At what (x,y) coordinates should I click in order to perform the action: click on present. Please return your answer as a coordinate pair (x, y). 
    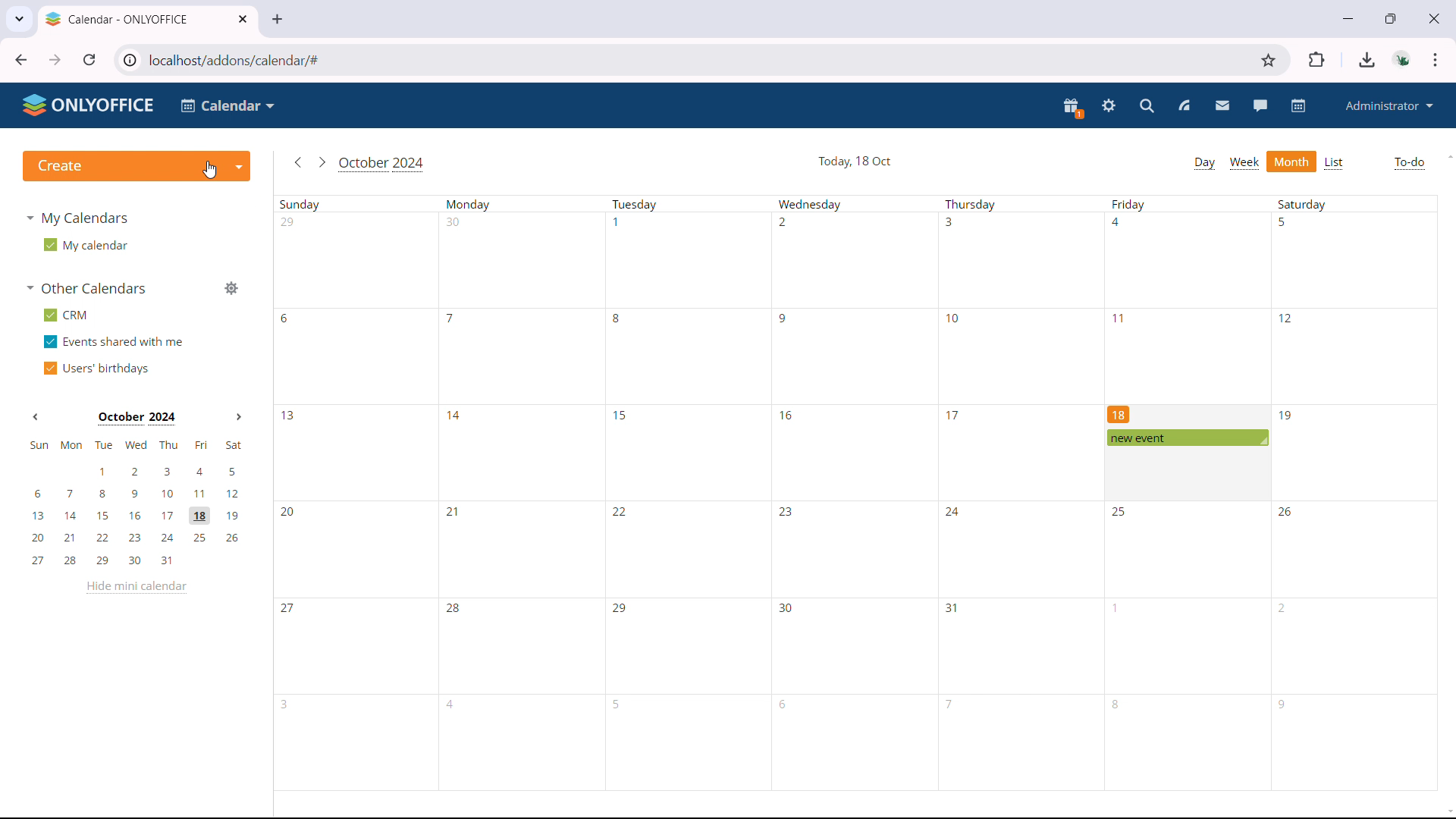
    Looking at the image, I should click on (1073, 108).